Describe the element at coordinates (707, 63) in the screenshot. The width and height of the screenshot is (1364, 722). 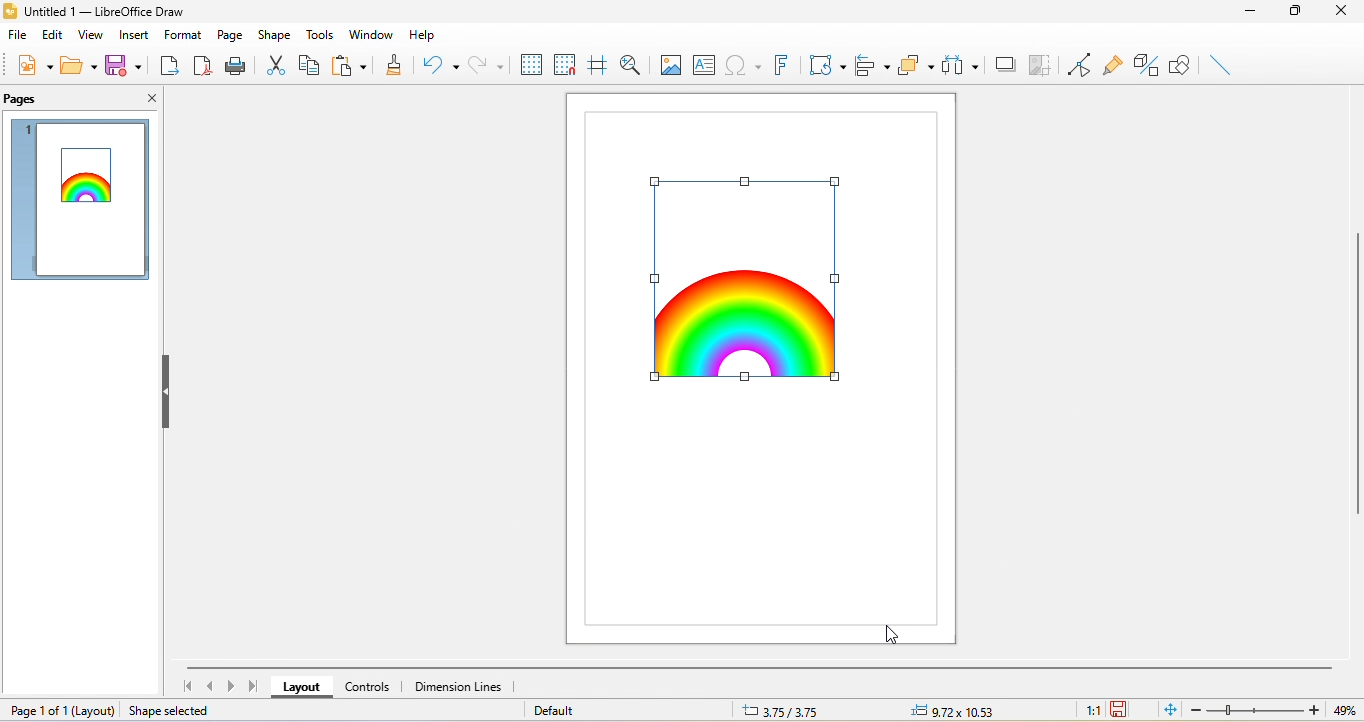
I see `text box` at that location.